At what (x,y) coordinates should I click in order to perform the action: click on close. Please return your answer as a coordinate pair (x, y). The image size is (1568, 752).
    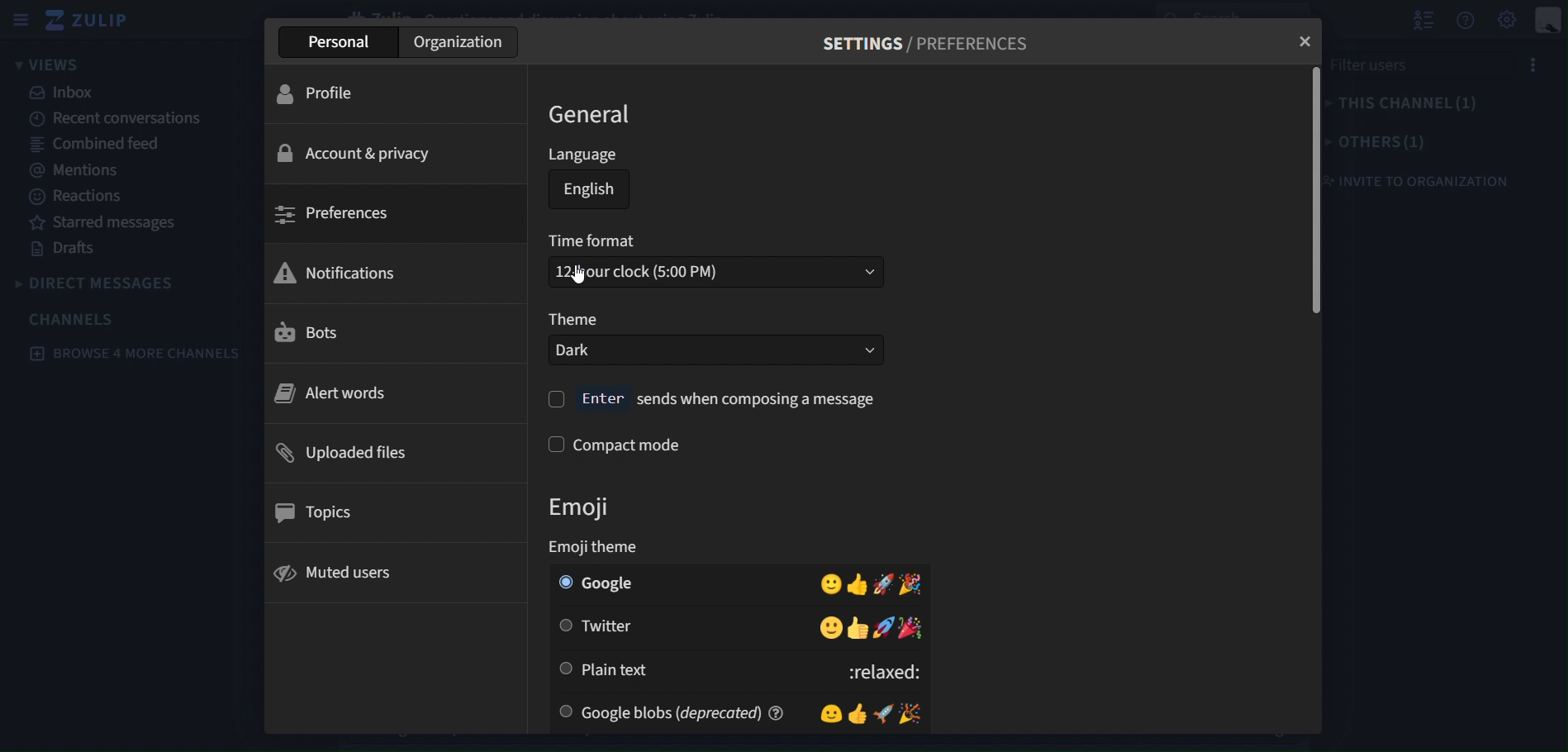
    Looking at the image, I should click on (1306, 40).